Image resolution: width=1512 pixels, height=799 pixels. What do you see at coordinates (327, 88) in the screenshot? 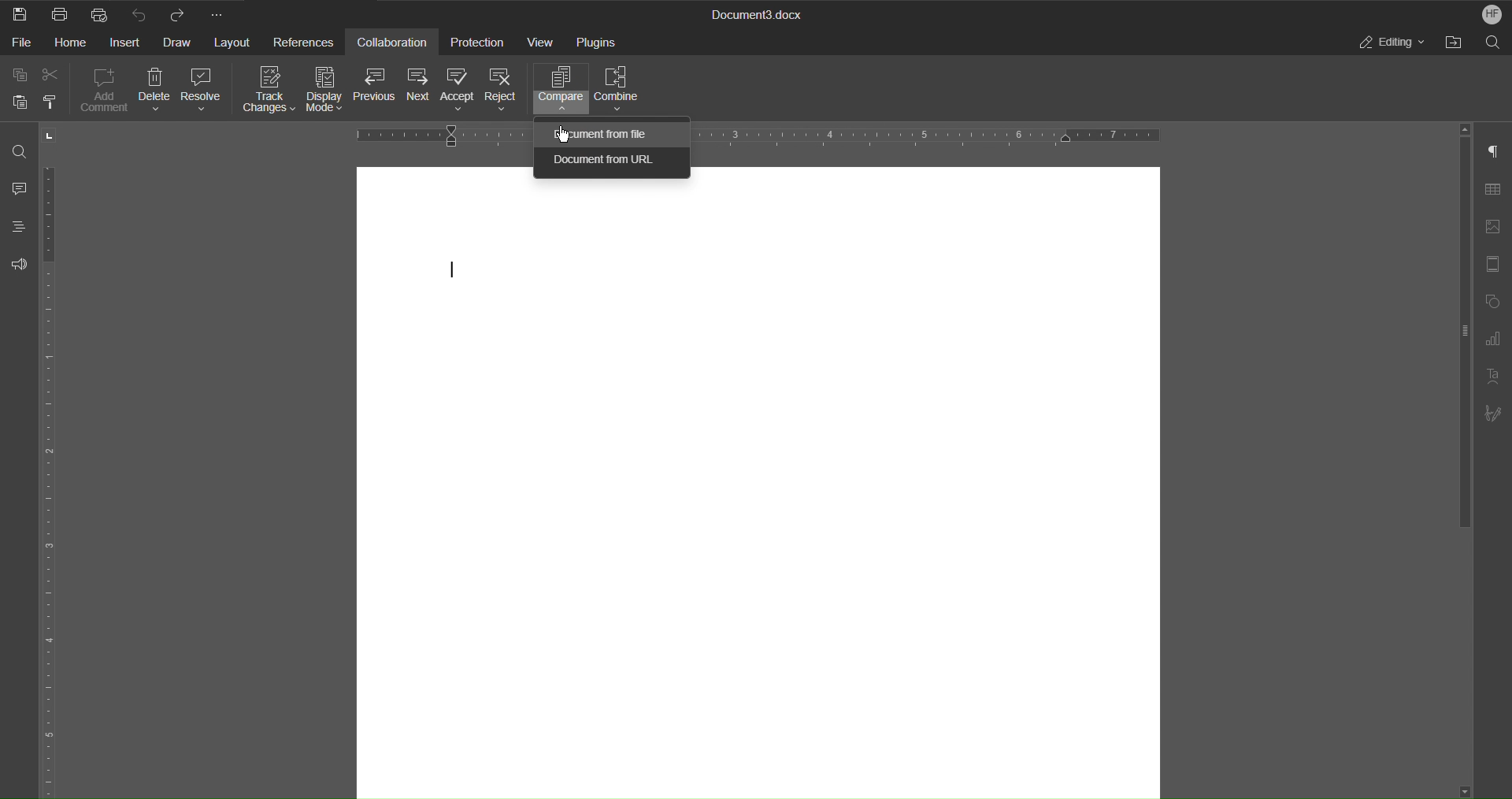
I see `Display Mode` at bounding box center [327, 88].